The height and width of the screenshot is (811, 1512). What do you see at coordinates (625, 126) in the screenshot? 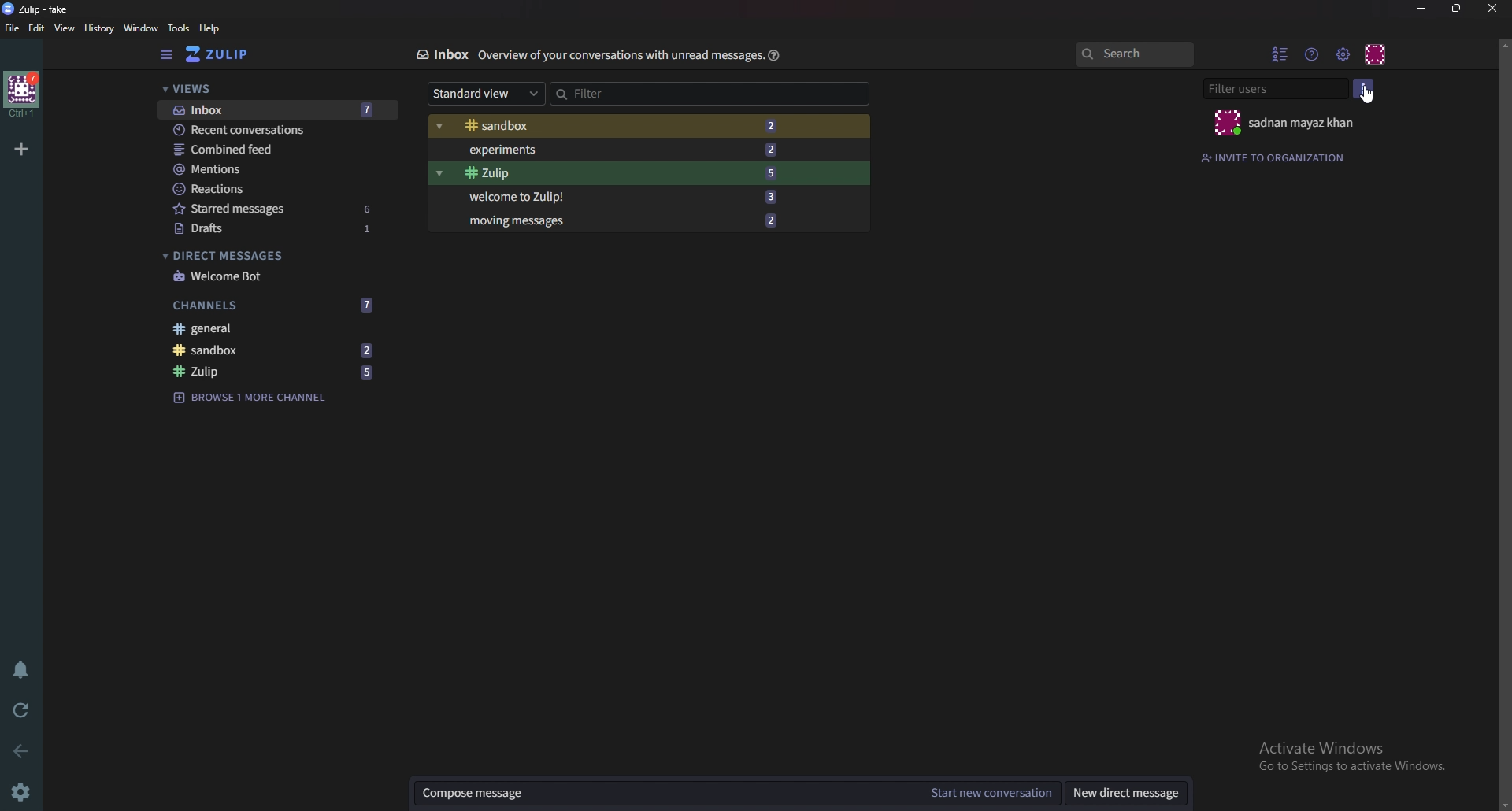
I see `Sandbox` at bounding box center [625, 126].